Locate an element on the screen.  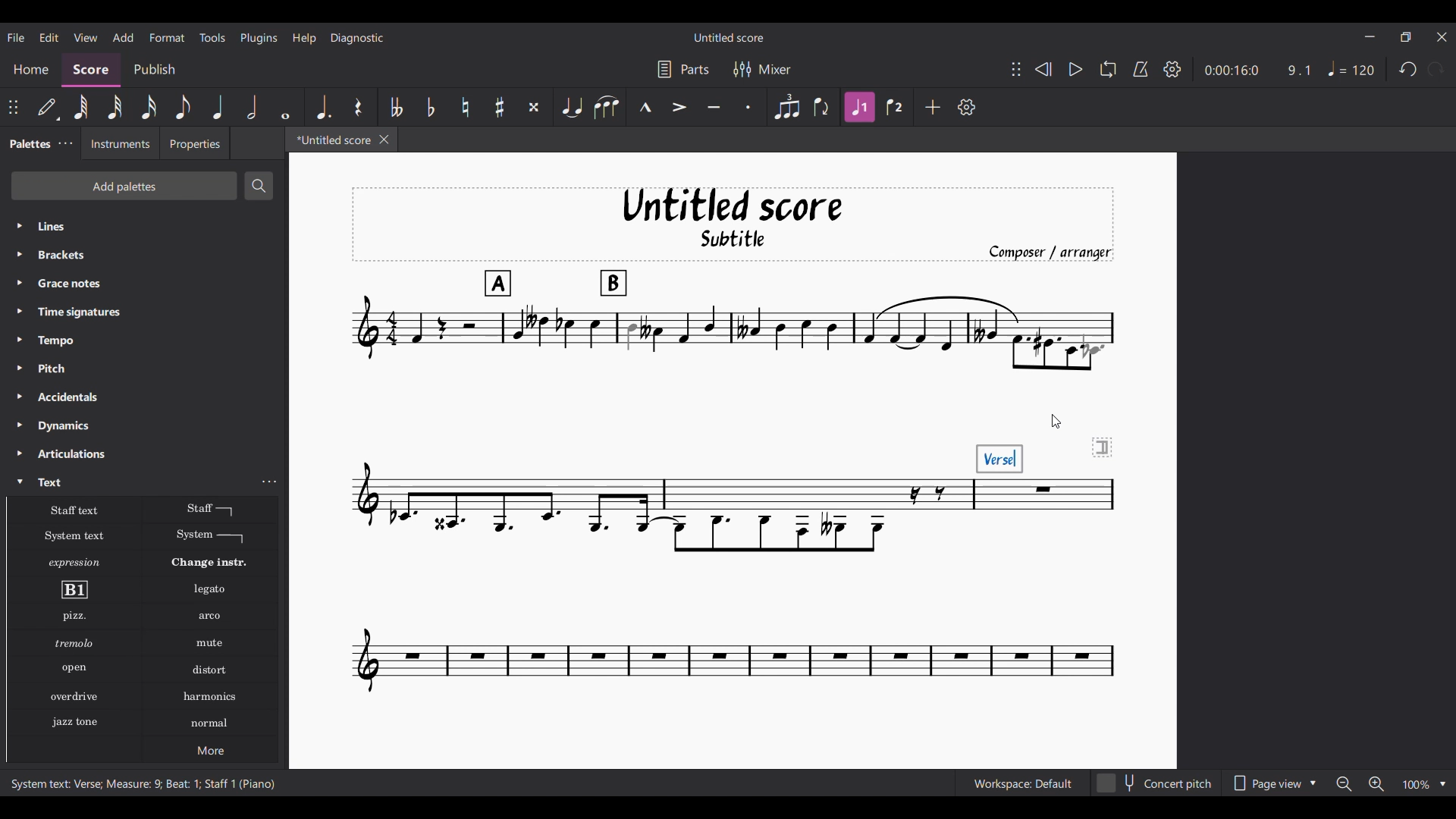
Tempo is located at coordinates (1351, 69).